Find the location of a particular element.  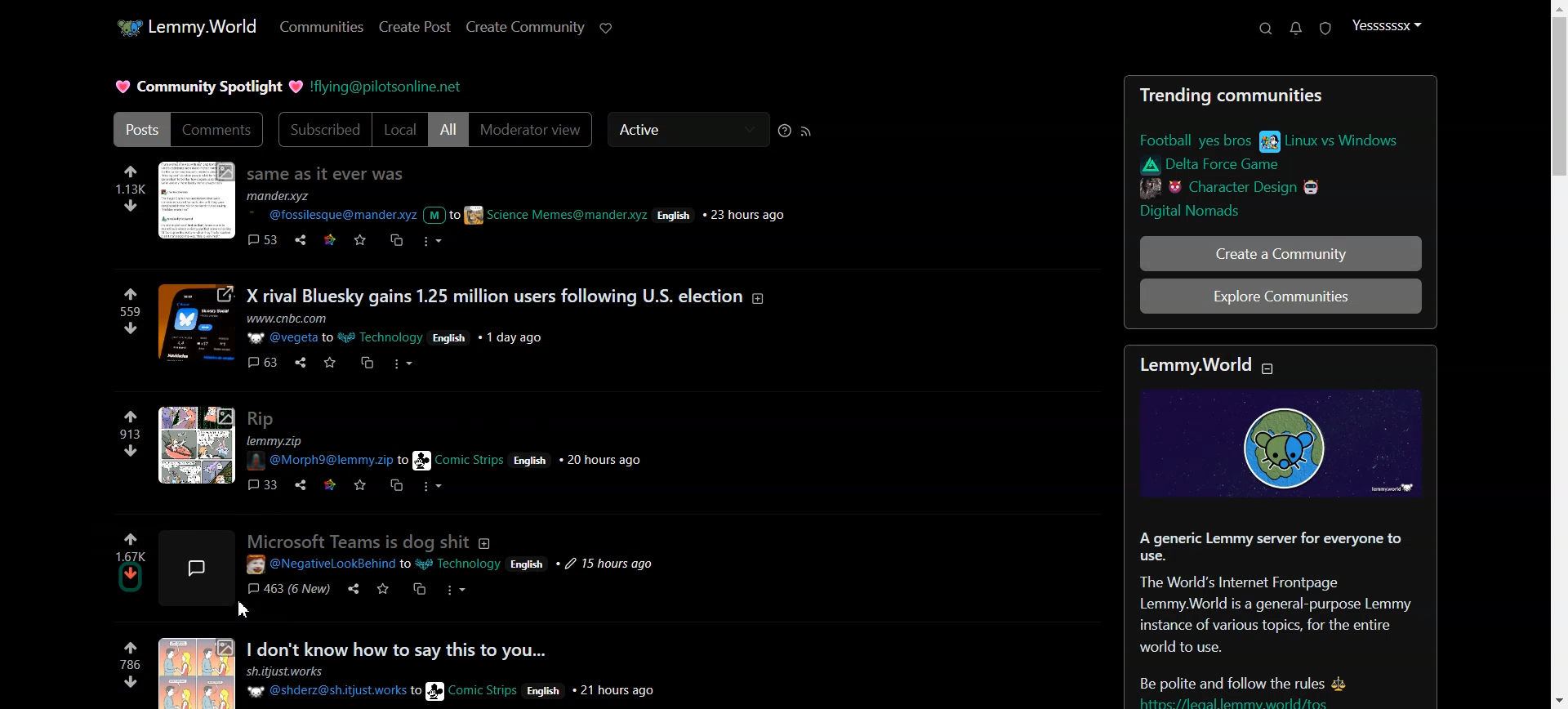

up is located at coordinates (131, 295).